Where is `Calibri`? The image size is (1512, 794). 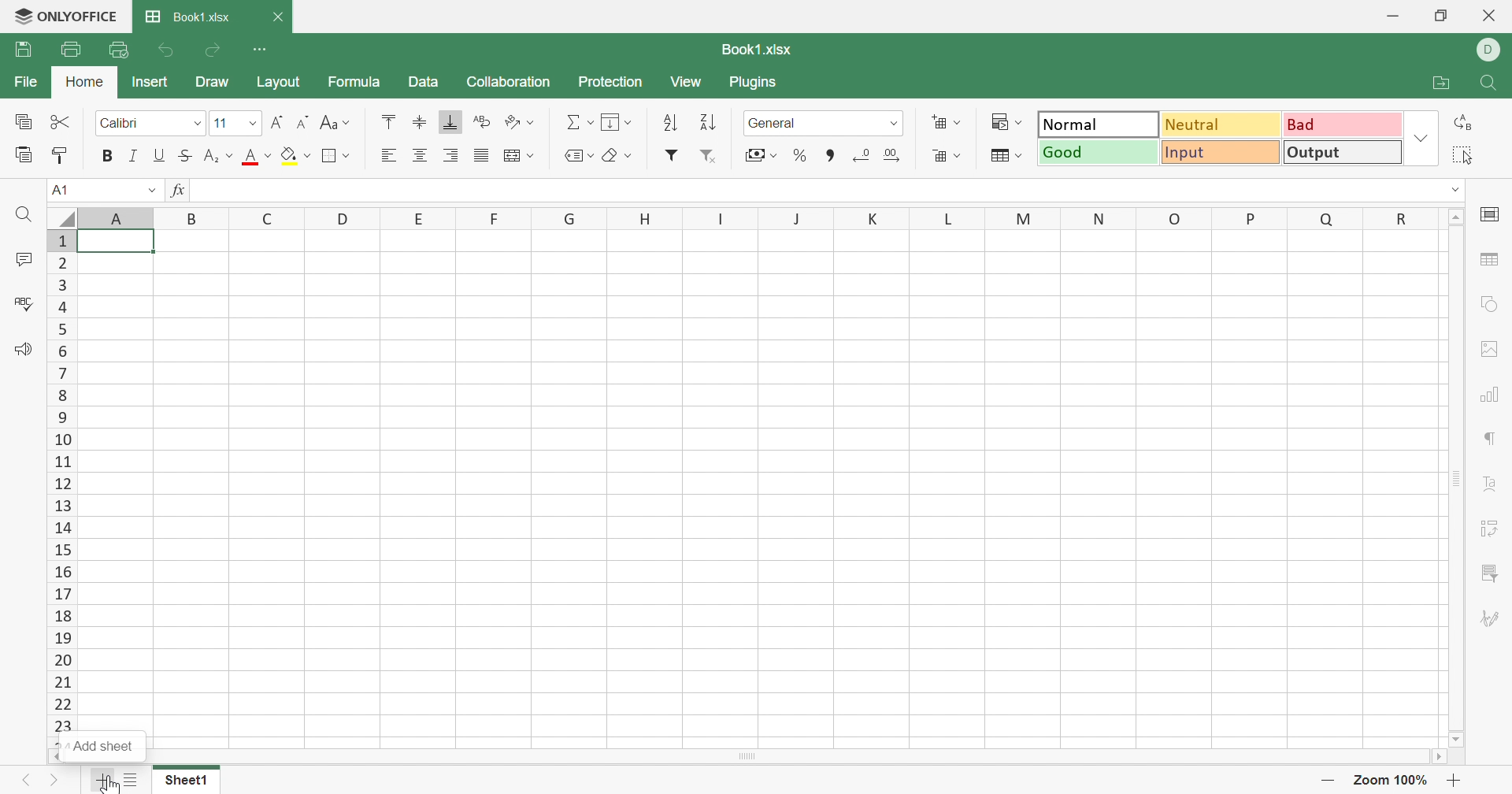 Calibri is located at coordinates (126, 121).